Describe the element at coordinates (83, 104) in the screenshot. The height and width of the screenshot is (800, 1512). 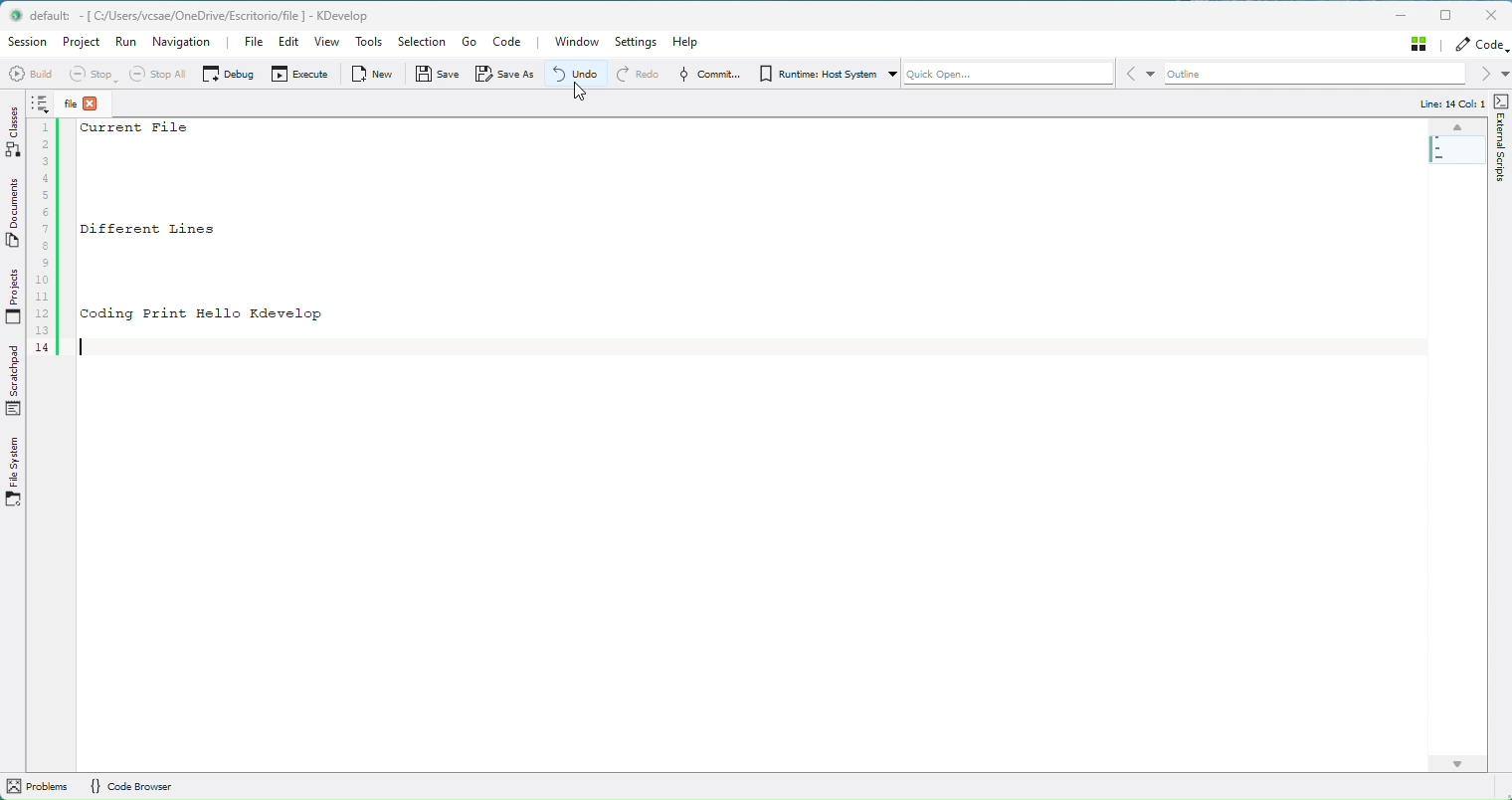
I see `File` at that location.